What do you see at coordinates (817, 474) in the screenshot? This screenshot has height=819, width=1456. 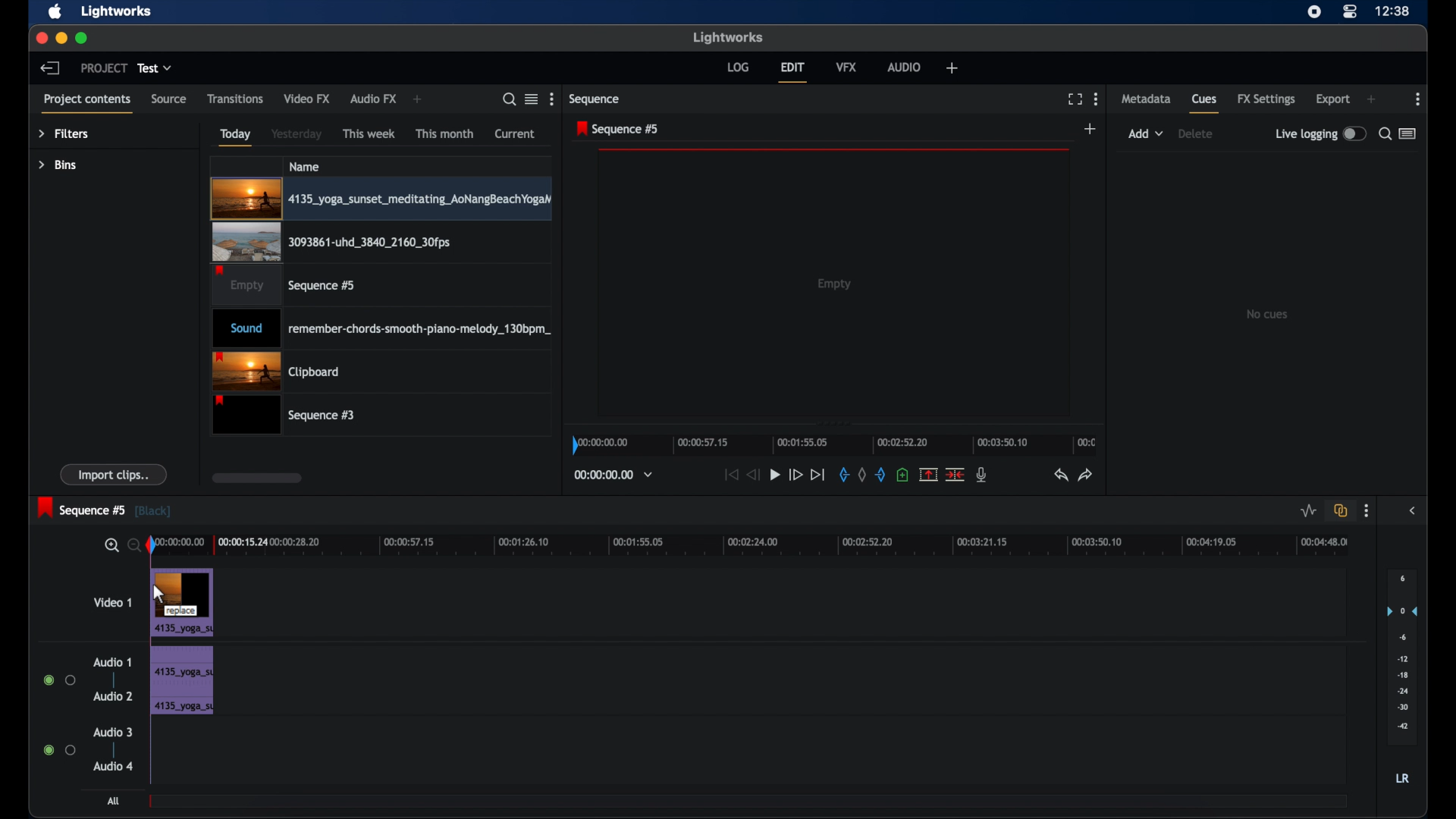 I see `jump to end` at bounding box center [817, 474].